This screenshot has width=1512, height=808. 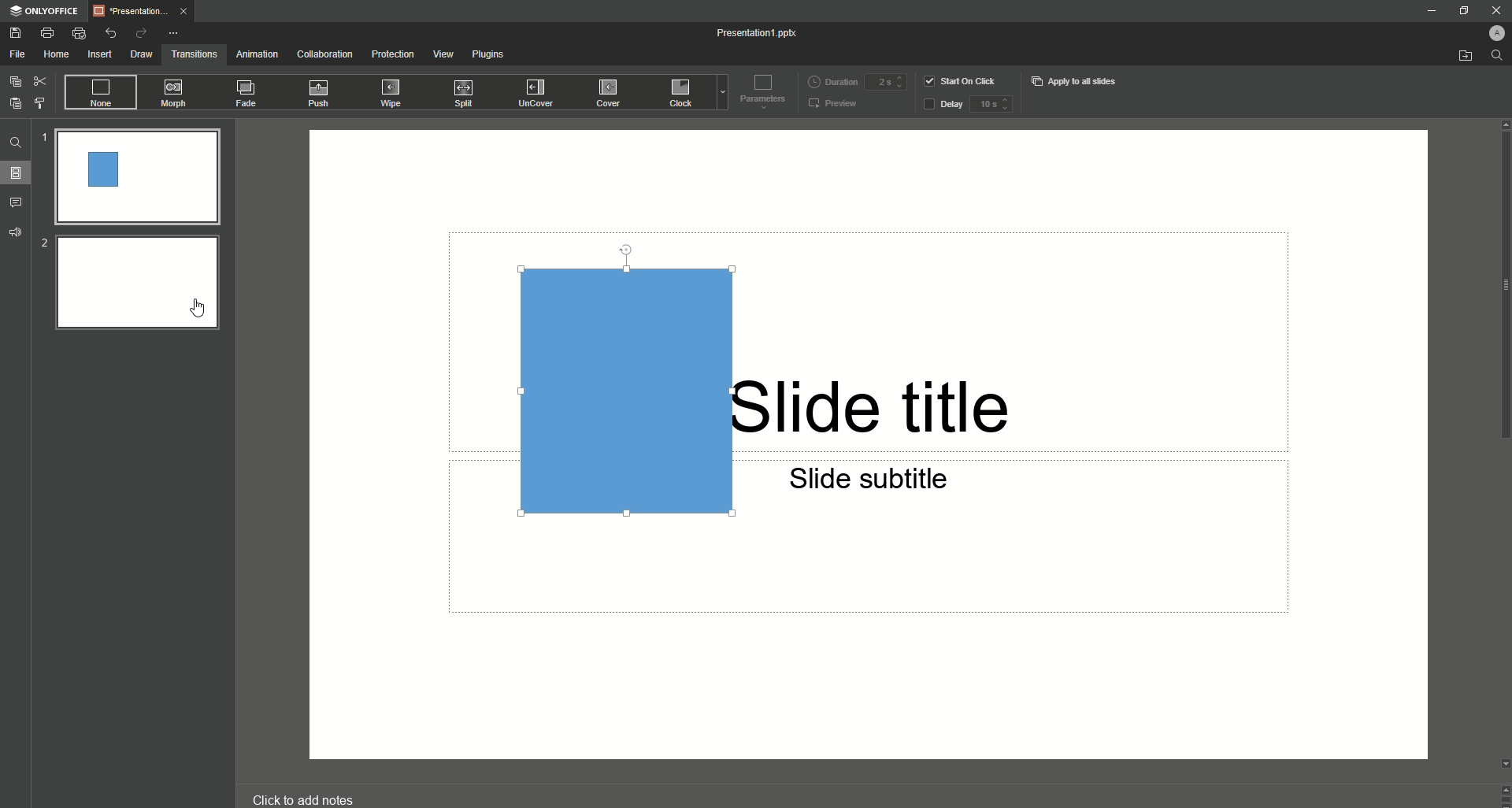 What do you see at coordinates (612, 395) in the screenshot?
I see `Rectangle` at bounding box center [612, 395].